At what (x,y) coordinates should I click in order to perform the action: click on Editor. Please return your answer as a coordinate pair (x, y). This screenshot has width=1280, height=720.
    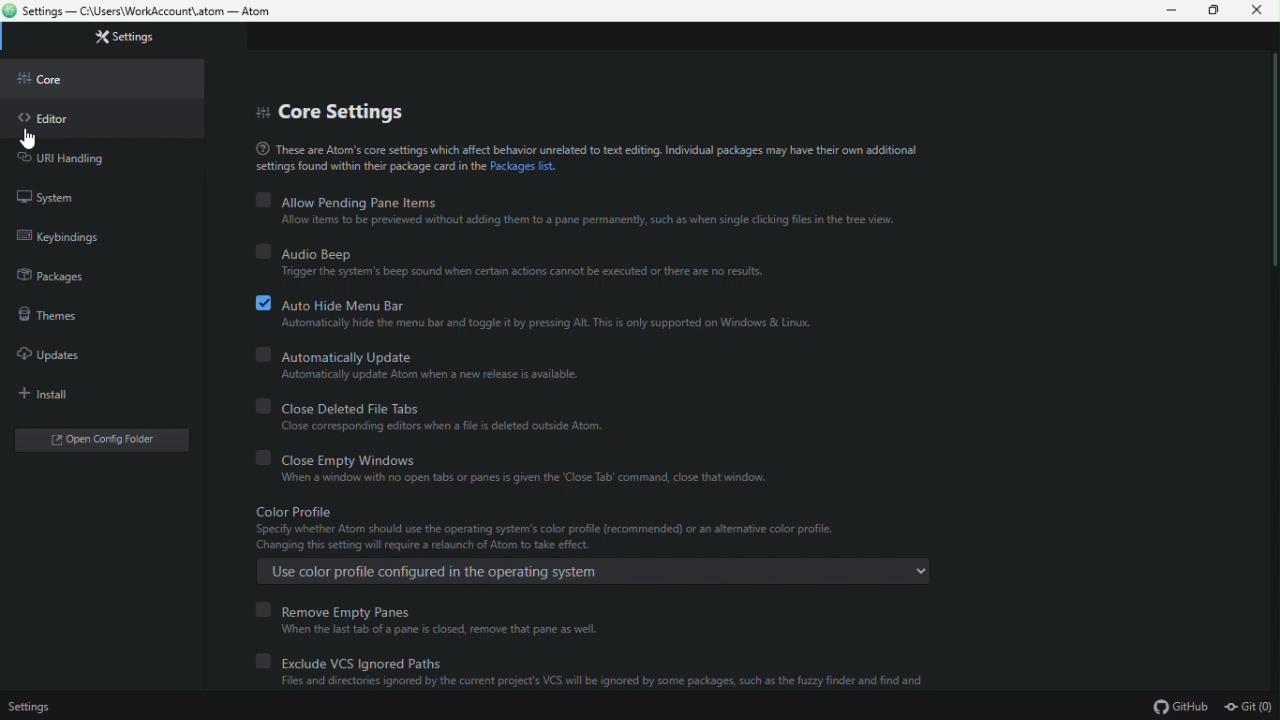
    Looking at the image, I should click on (50, 119).